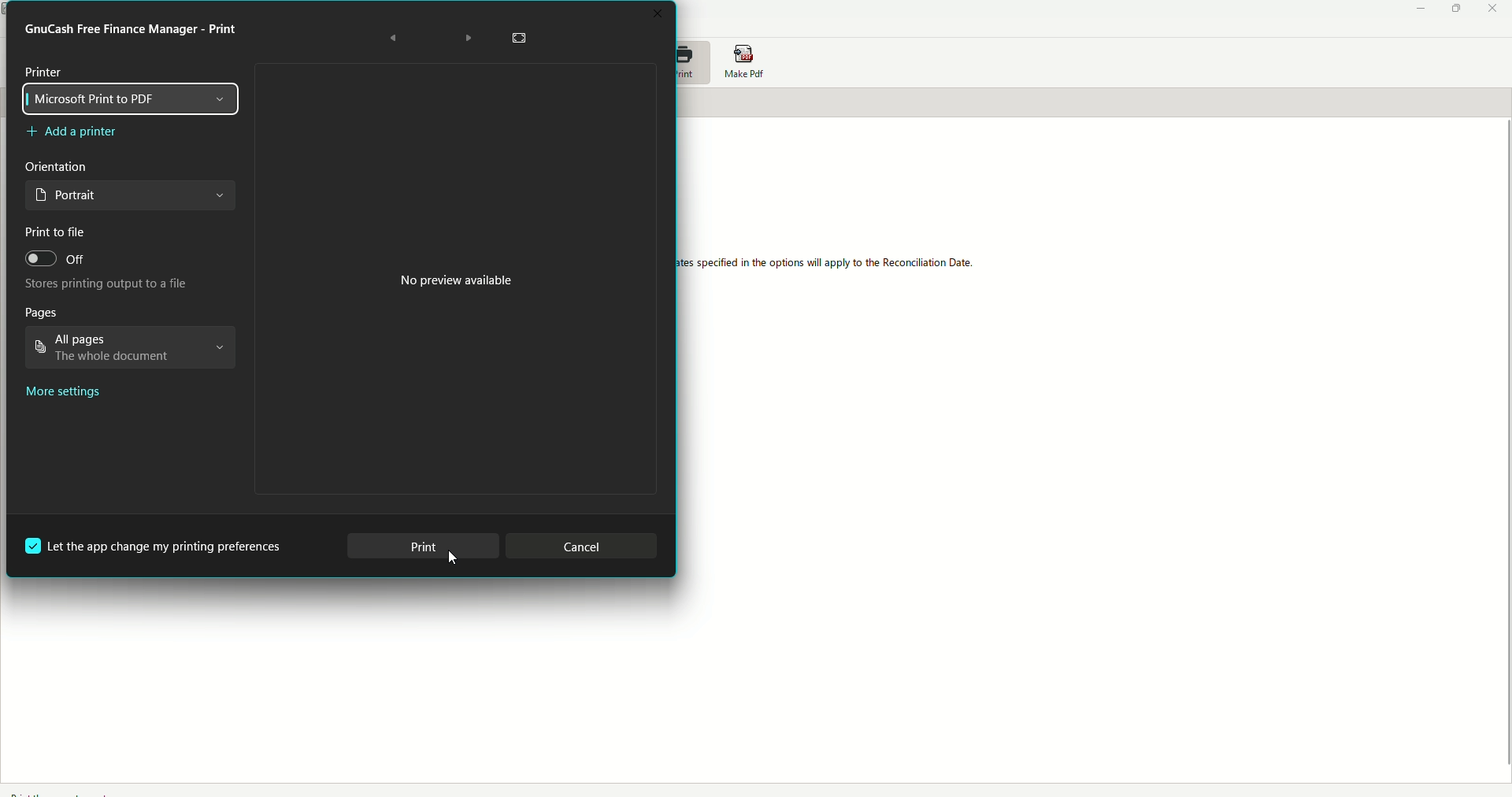  What do you see at coordinates (1413, 10) in the screenshot?
I see `Minimize` at bounding box center [1413, 10].